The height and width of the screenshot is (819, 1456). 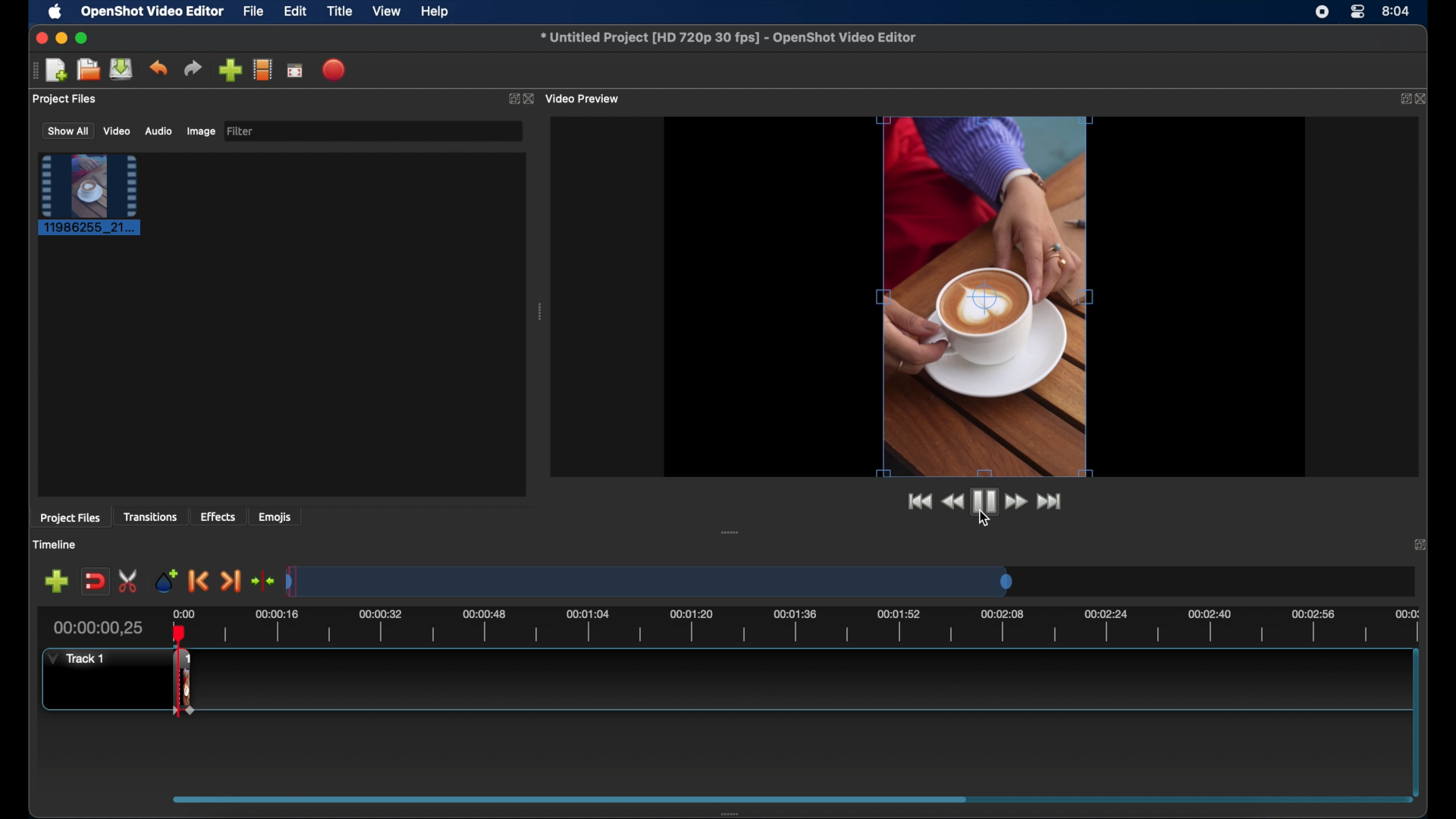 What do you see at coordinates (1049, 502) in the screenshot?
I see `jump to end` at bounding box center [1049, 502].